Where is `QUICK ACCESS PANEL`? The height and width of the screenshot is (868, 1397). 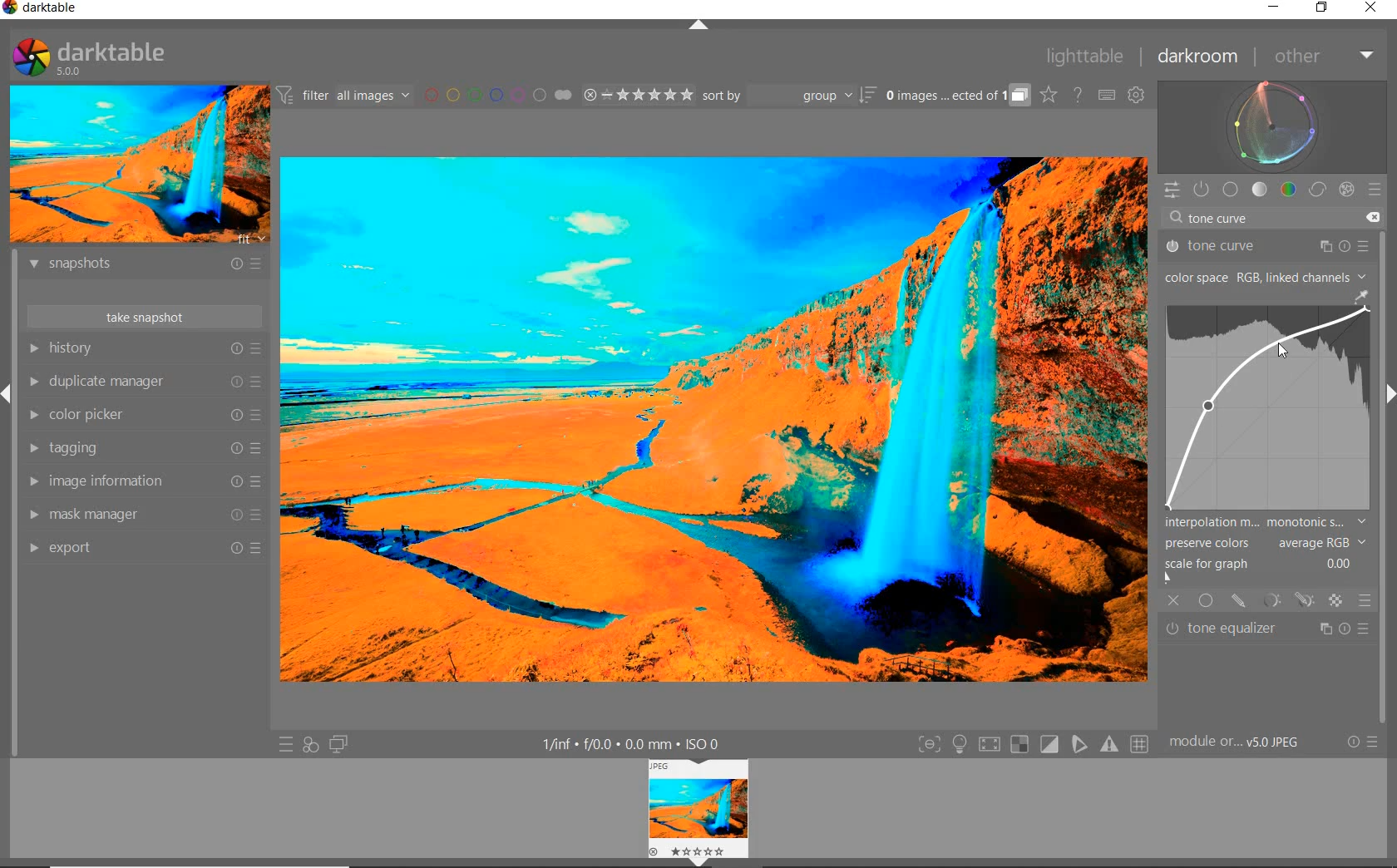
QUICK ACCESS PANEL is located at coordinates (1172, 190).